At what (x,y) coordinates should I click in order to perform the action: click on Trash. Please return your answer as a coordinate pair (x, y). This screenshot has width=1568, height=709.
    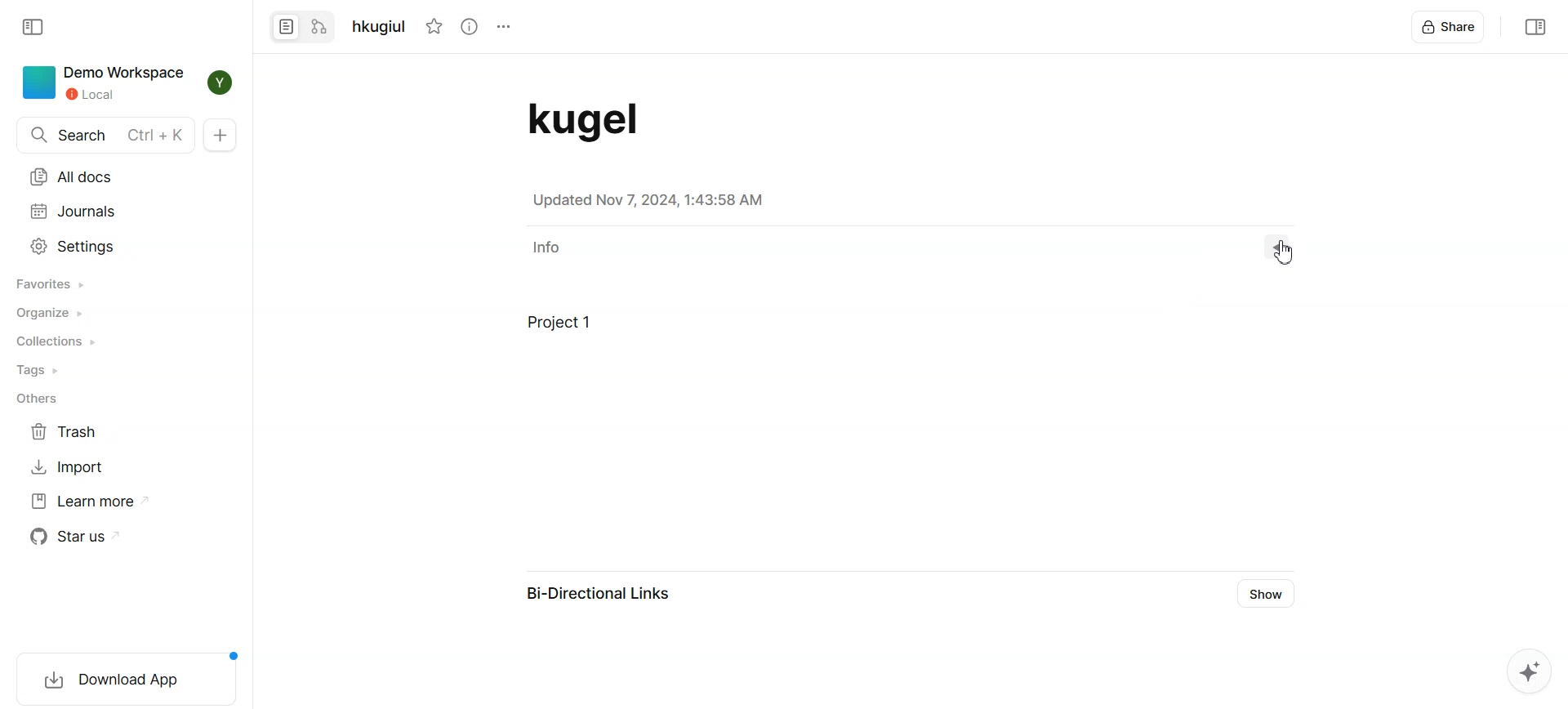
    Looking at the image, I should click on (69, 431).